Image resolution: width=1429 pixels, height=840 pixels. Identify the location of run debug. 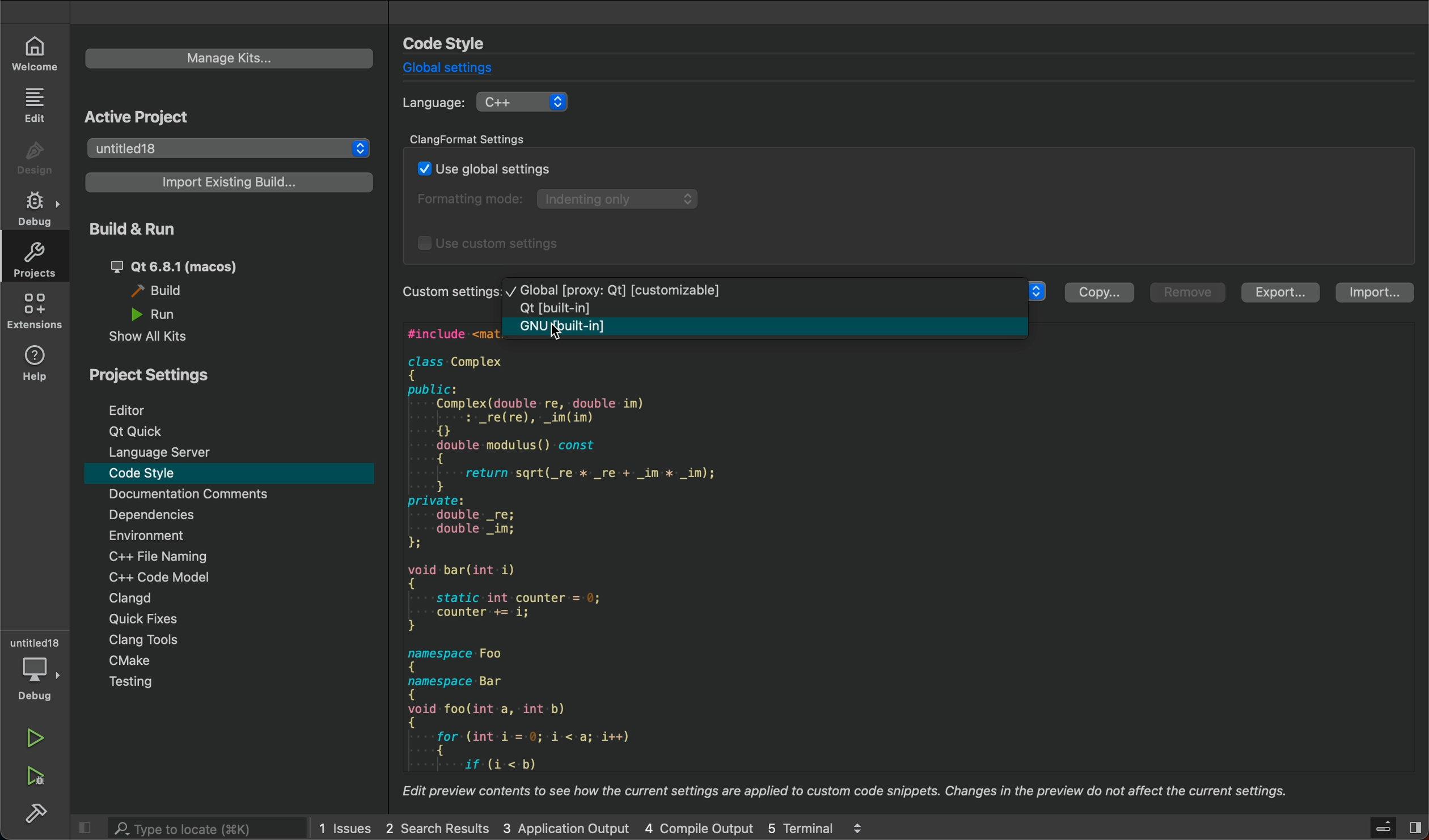
(37, 777).